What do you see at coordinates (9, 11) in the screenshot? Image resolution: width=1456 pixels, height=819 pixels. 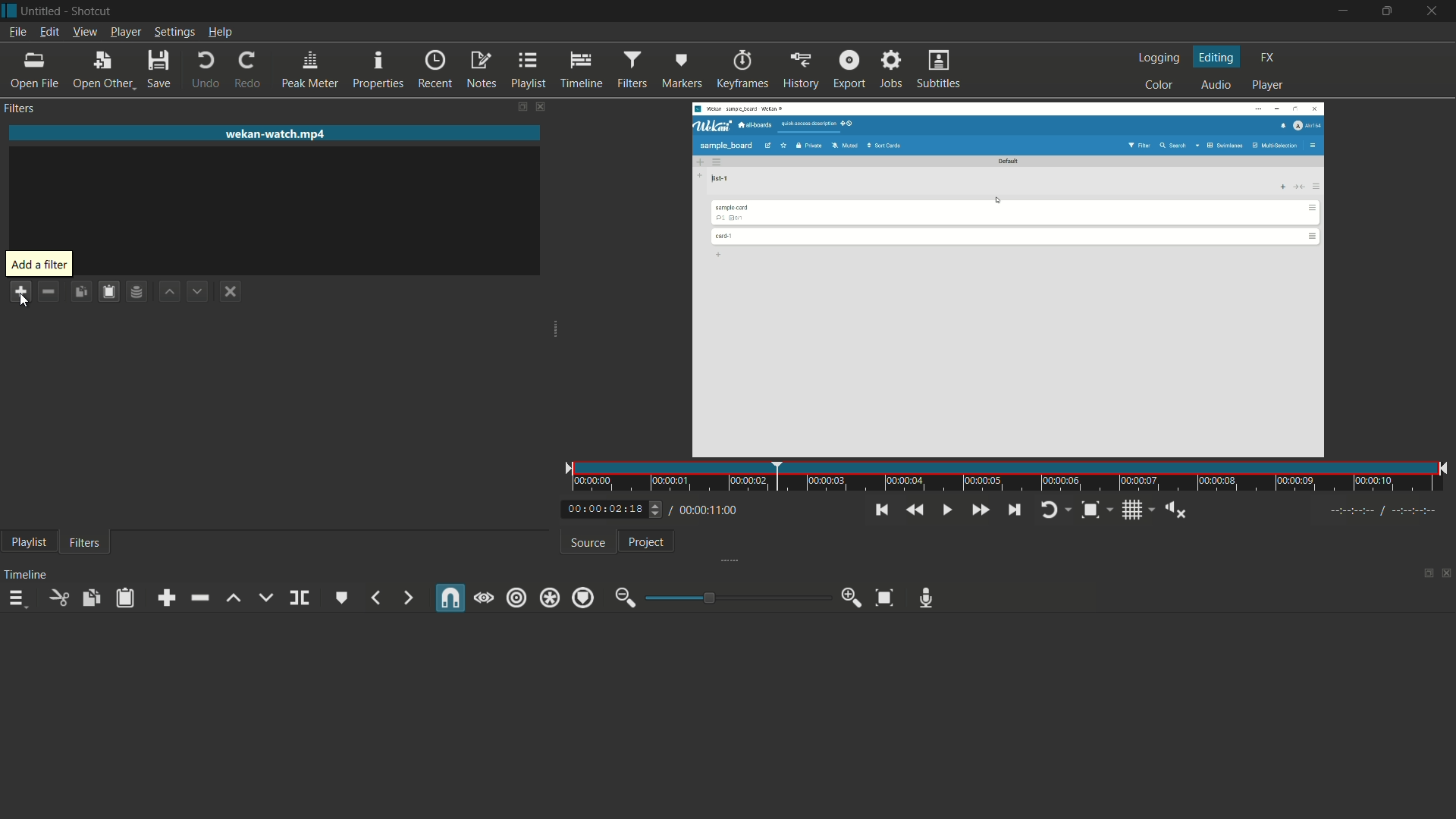 I see `app icon` at bounding box center [9, 11].